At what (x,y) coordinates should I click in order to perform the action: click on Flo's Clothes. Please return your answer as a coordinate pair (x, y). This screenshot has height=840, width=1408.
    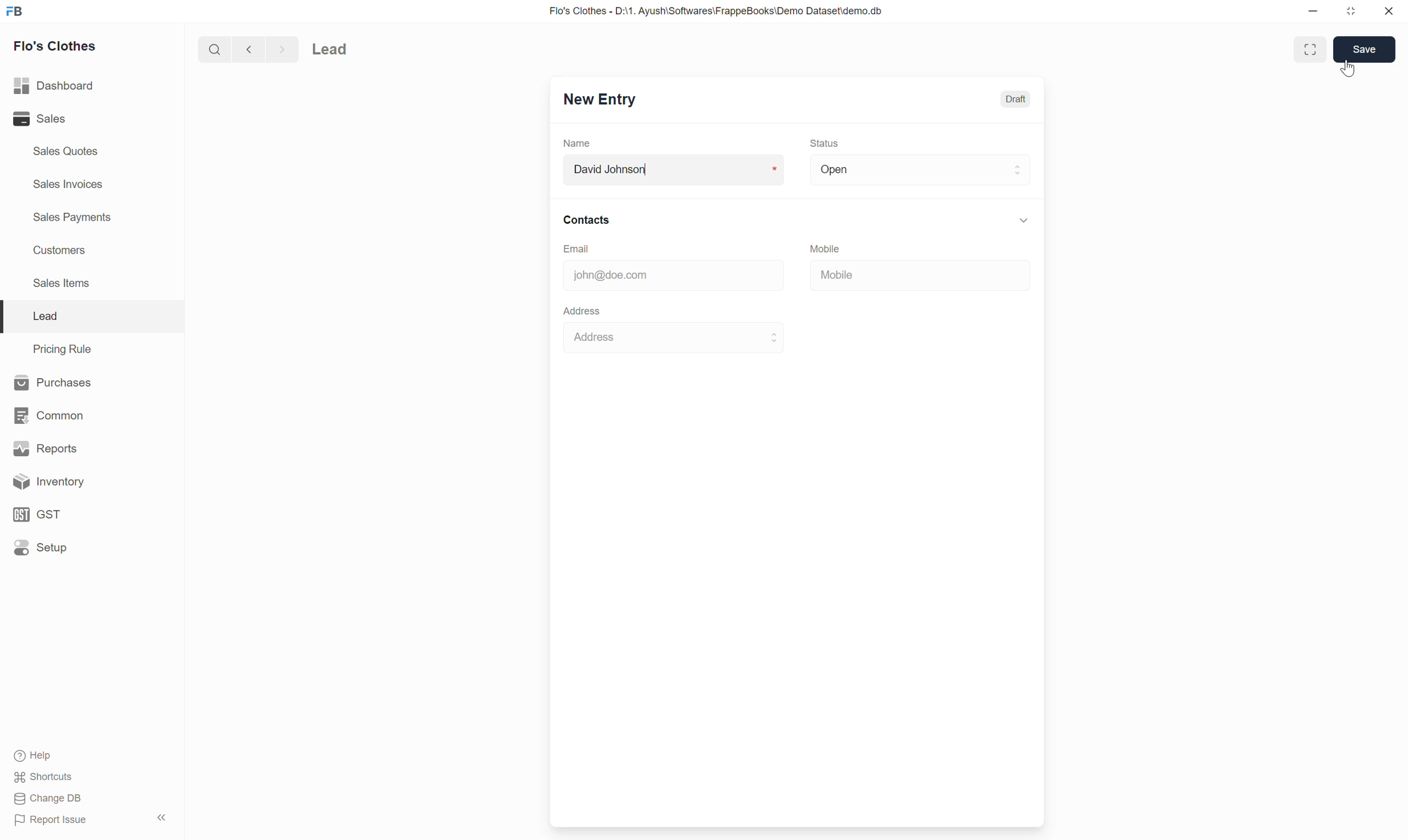
    Looking at the image, I should click on (60, 46).